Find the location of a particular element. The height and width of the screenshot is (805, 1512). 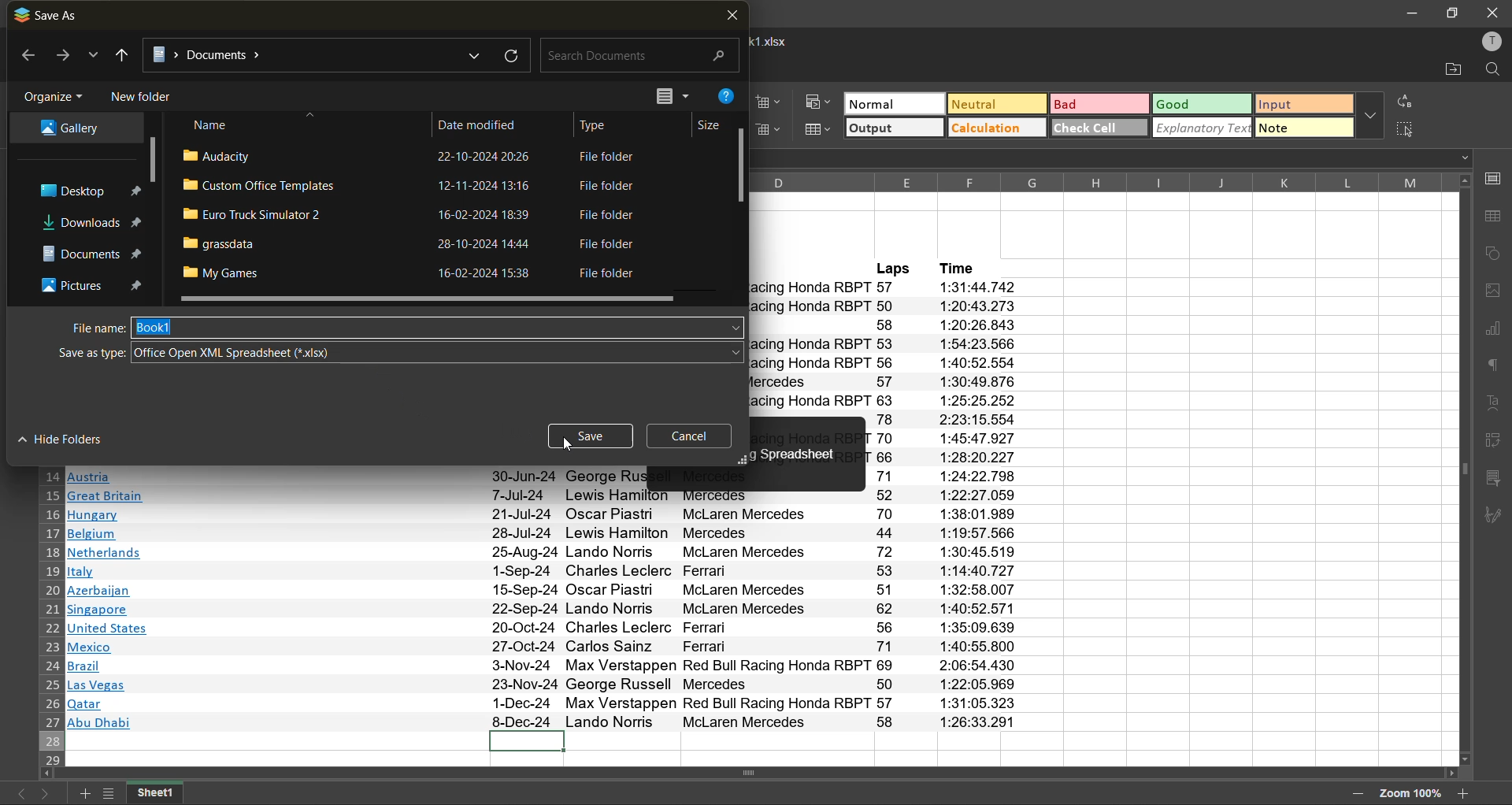

output is located at coordinates (894, 128).